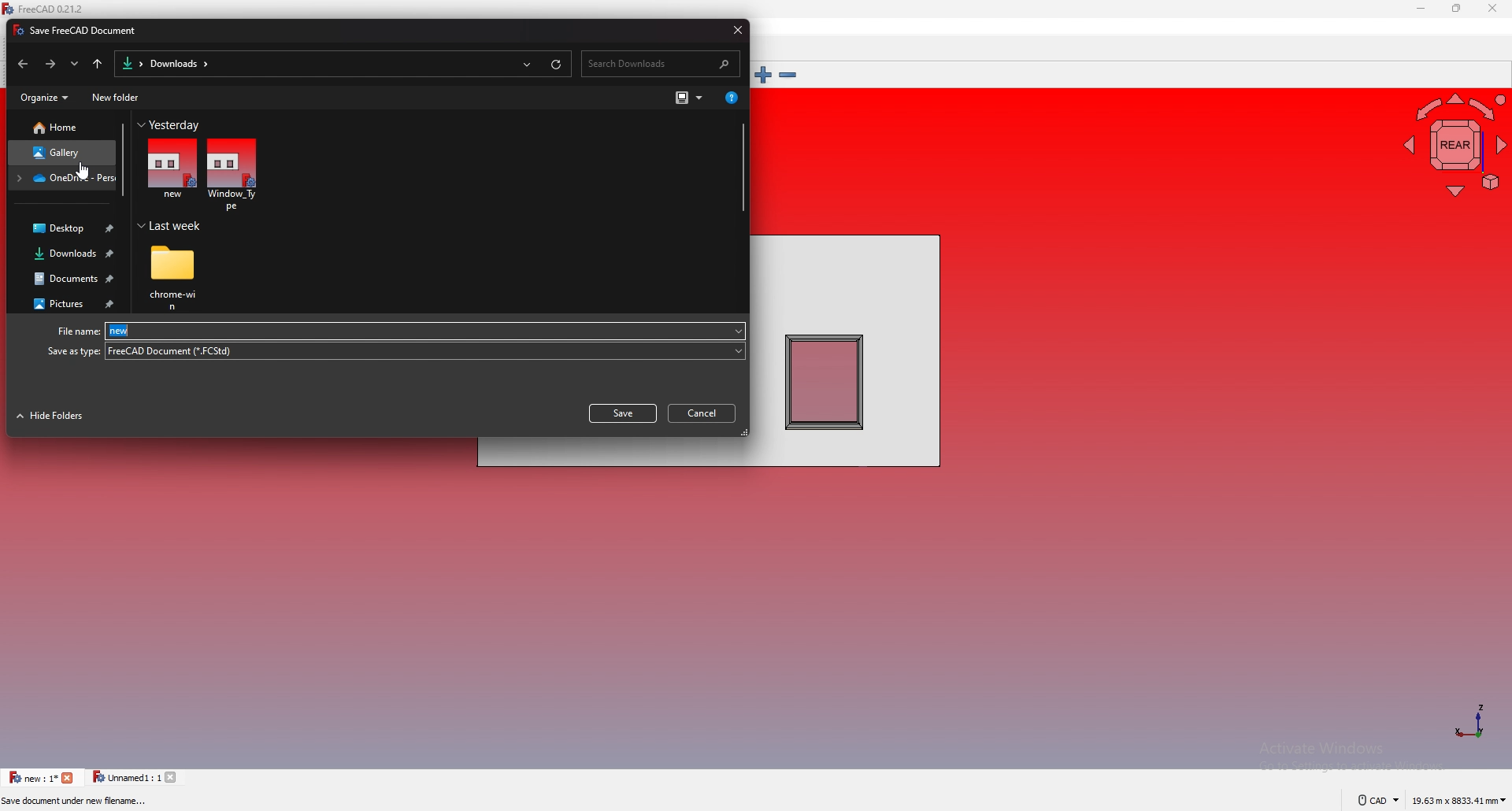  What do you see at coordinates (132, 777) in the screenshot?
I see `tab 2` at bounding box center [132, 777].